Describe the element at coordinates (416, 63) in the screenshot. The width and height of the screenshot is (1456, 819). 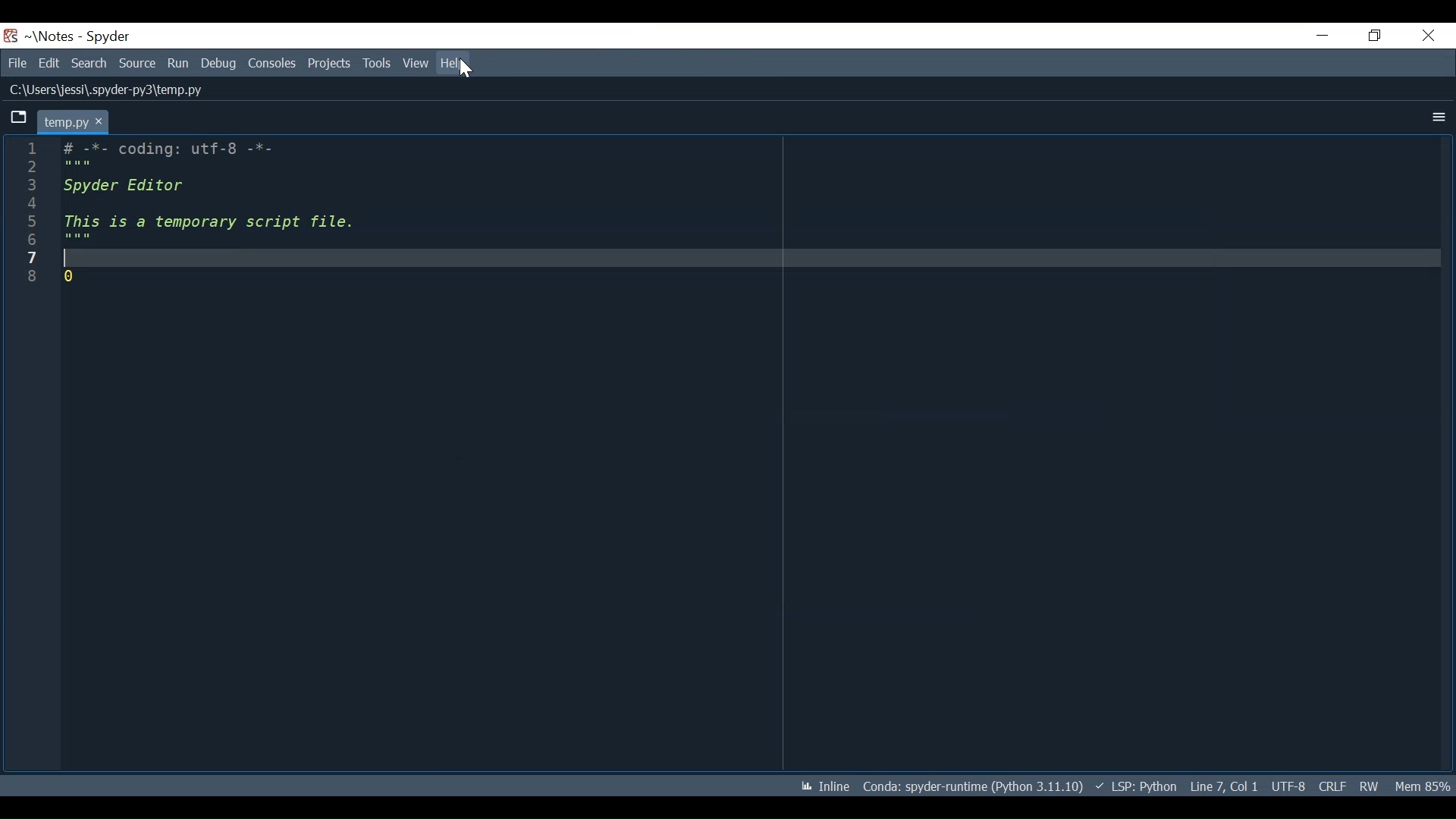
I see `View` at that location.